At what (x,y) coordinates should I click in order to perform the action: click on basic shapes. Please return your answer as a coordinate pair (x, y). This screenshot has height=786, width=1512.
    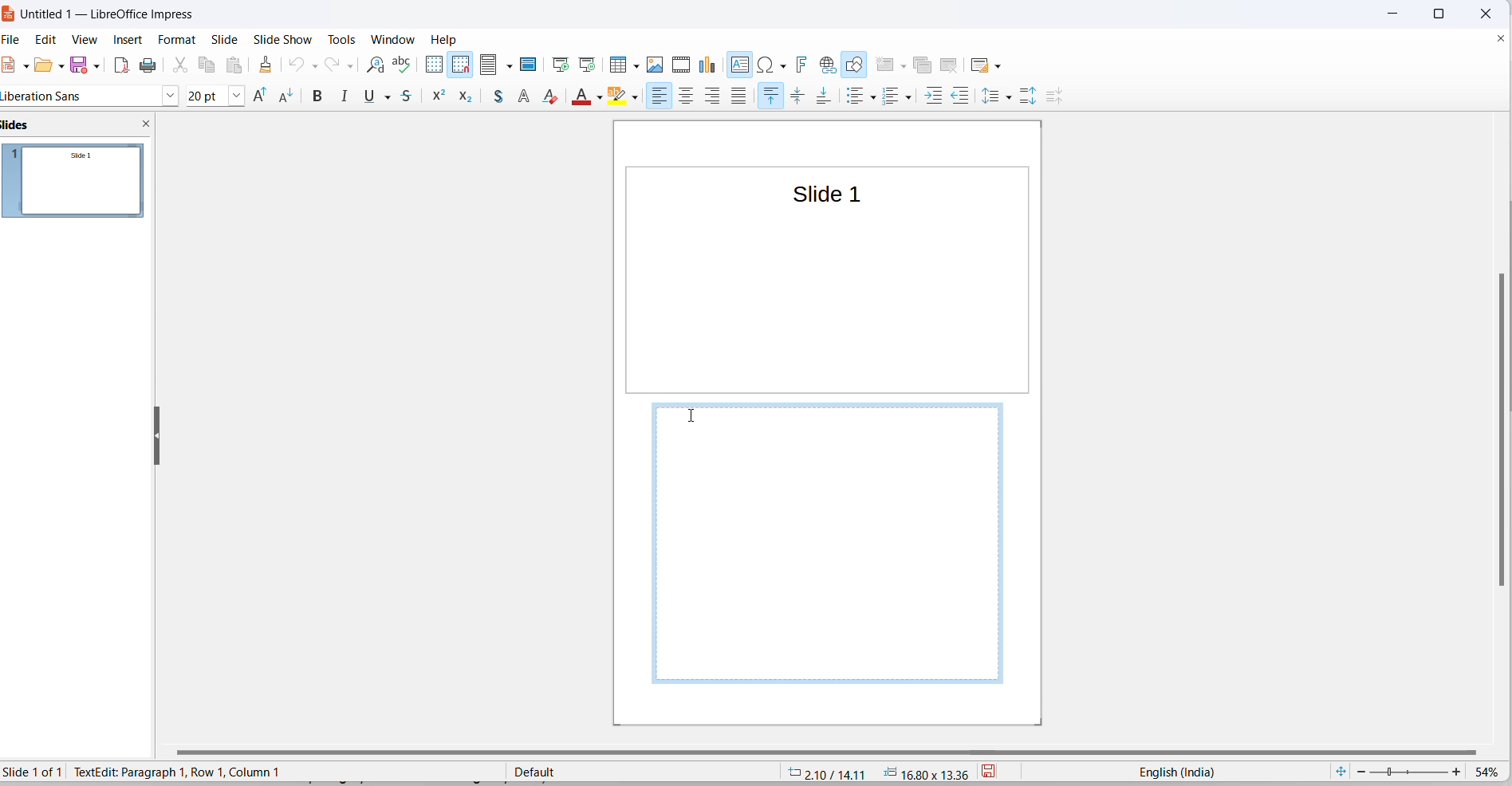
    Looking at the image, I should click on (343, 96).